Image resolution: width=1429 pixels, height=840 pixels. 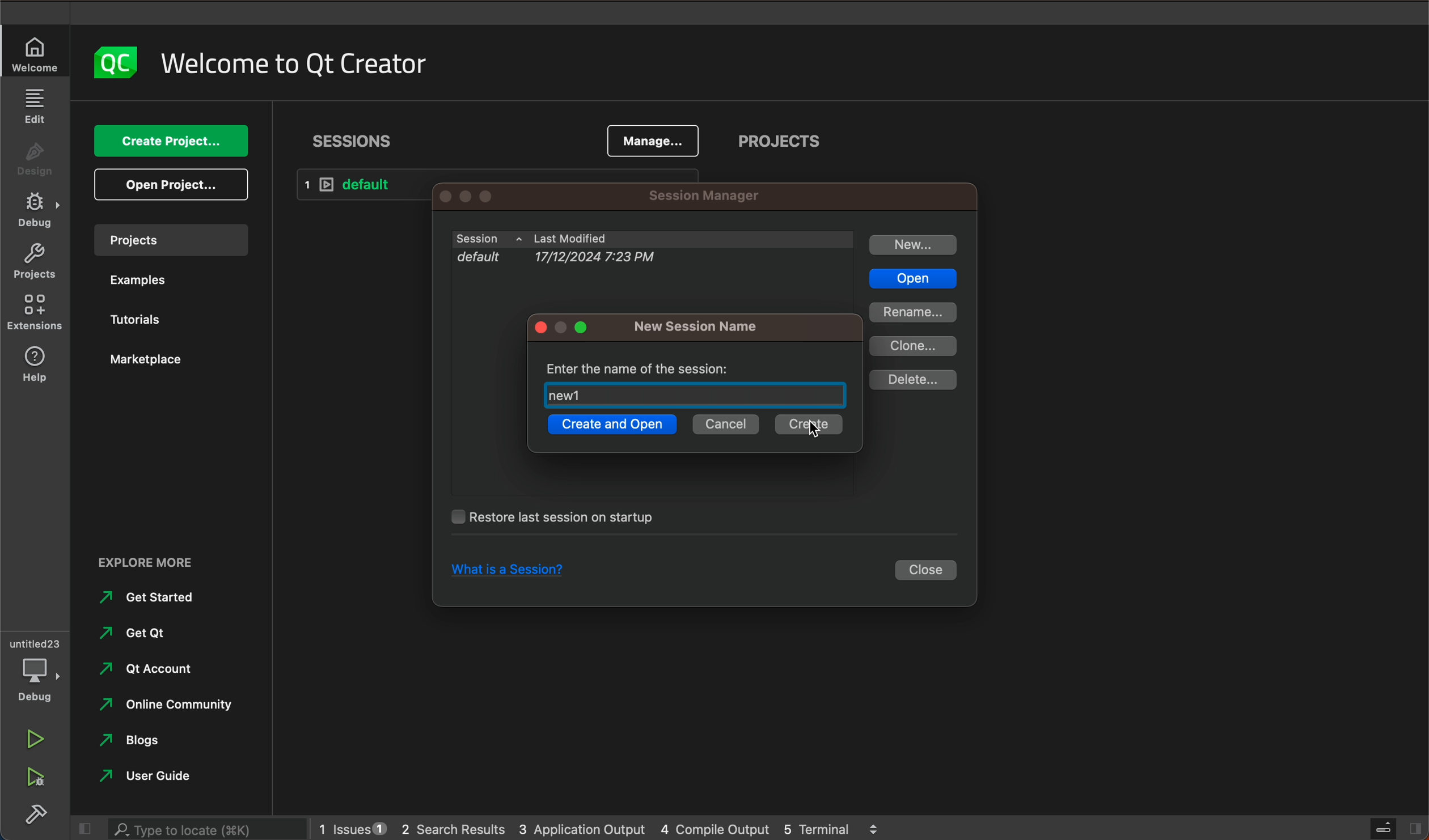 I want to click on build, so click(x=37, y=813).